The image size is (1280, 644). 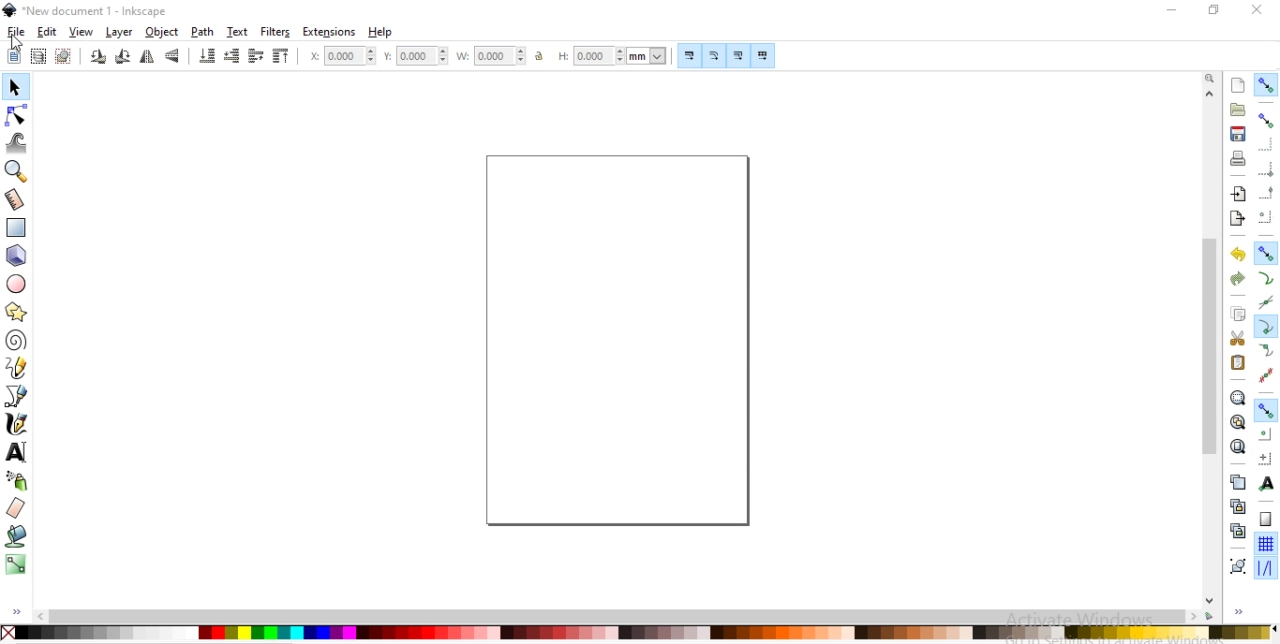 I want to click on snap nodes, paths and handles, so click(x=1266, y=253).